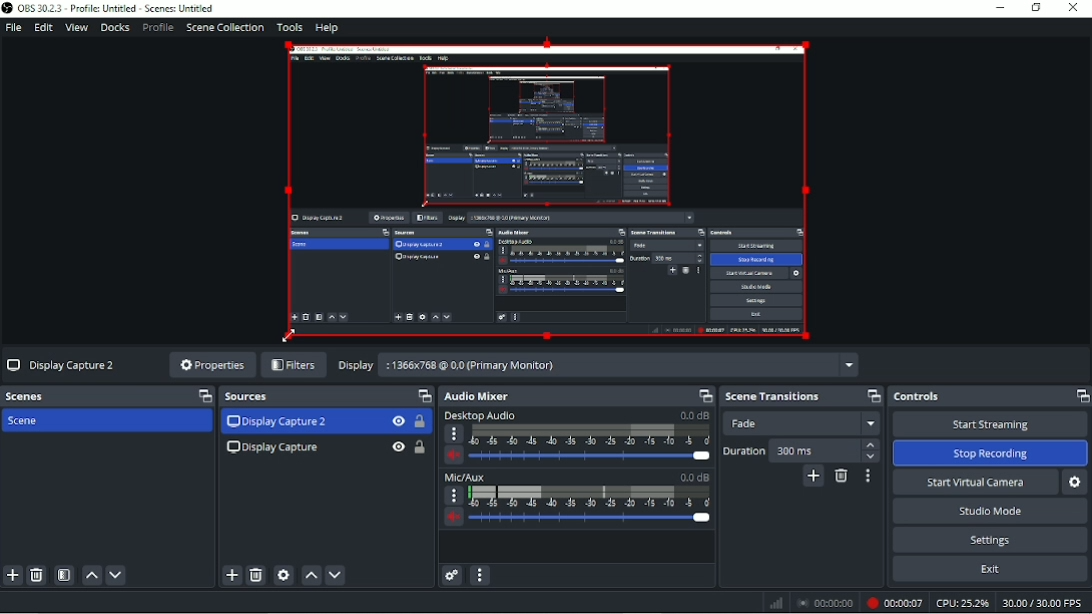 The width and height of the screenshot is (1092, 614). What do you see at coordinates (451, 575) in the screenshot?
I see `Advanced audio properties` at bounding box center [451, 575].